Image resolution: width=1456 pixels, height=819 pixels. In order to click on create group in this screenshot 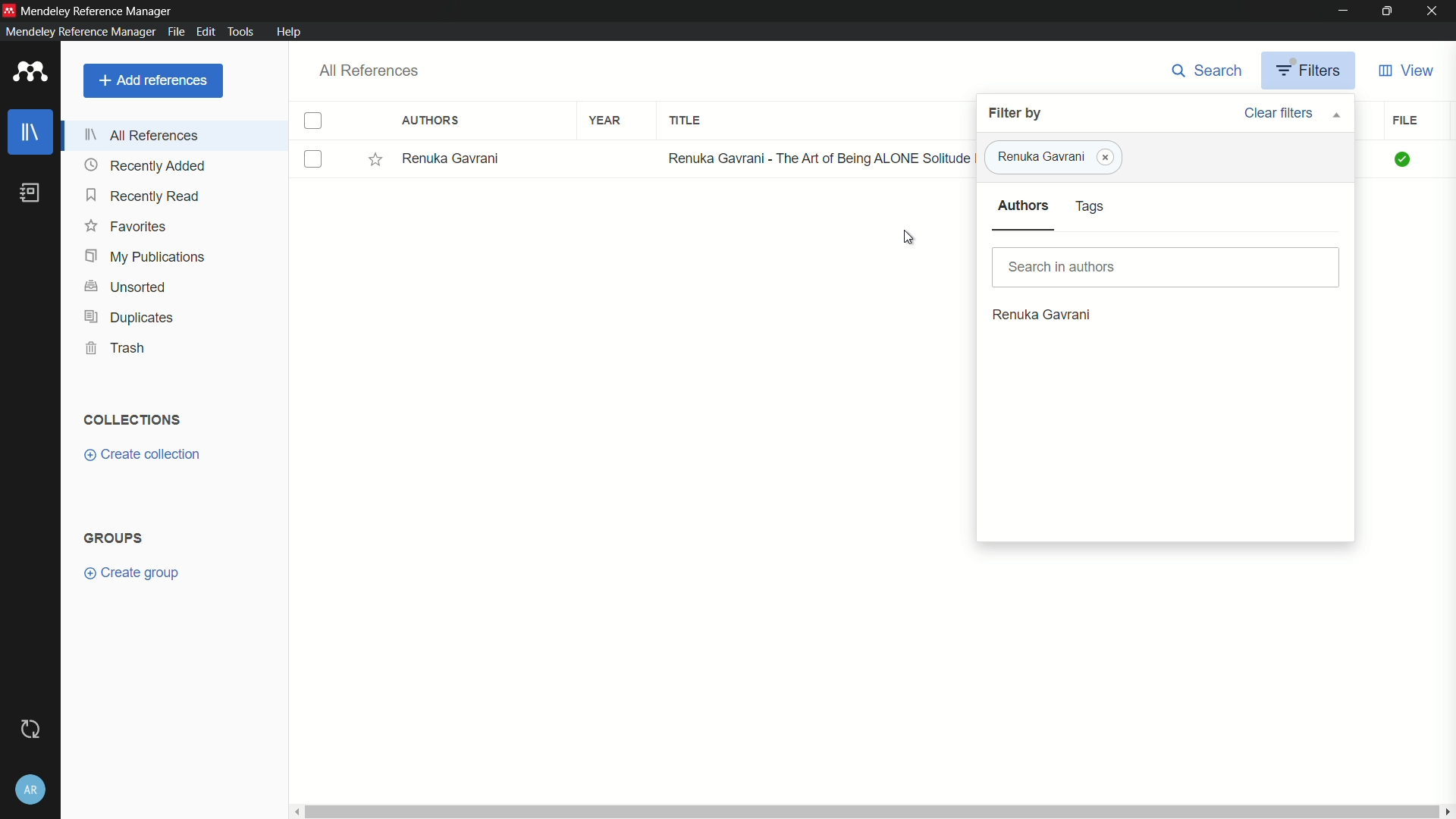, I will do `click(130, 573)`.